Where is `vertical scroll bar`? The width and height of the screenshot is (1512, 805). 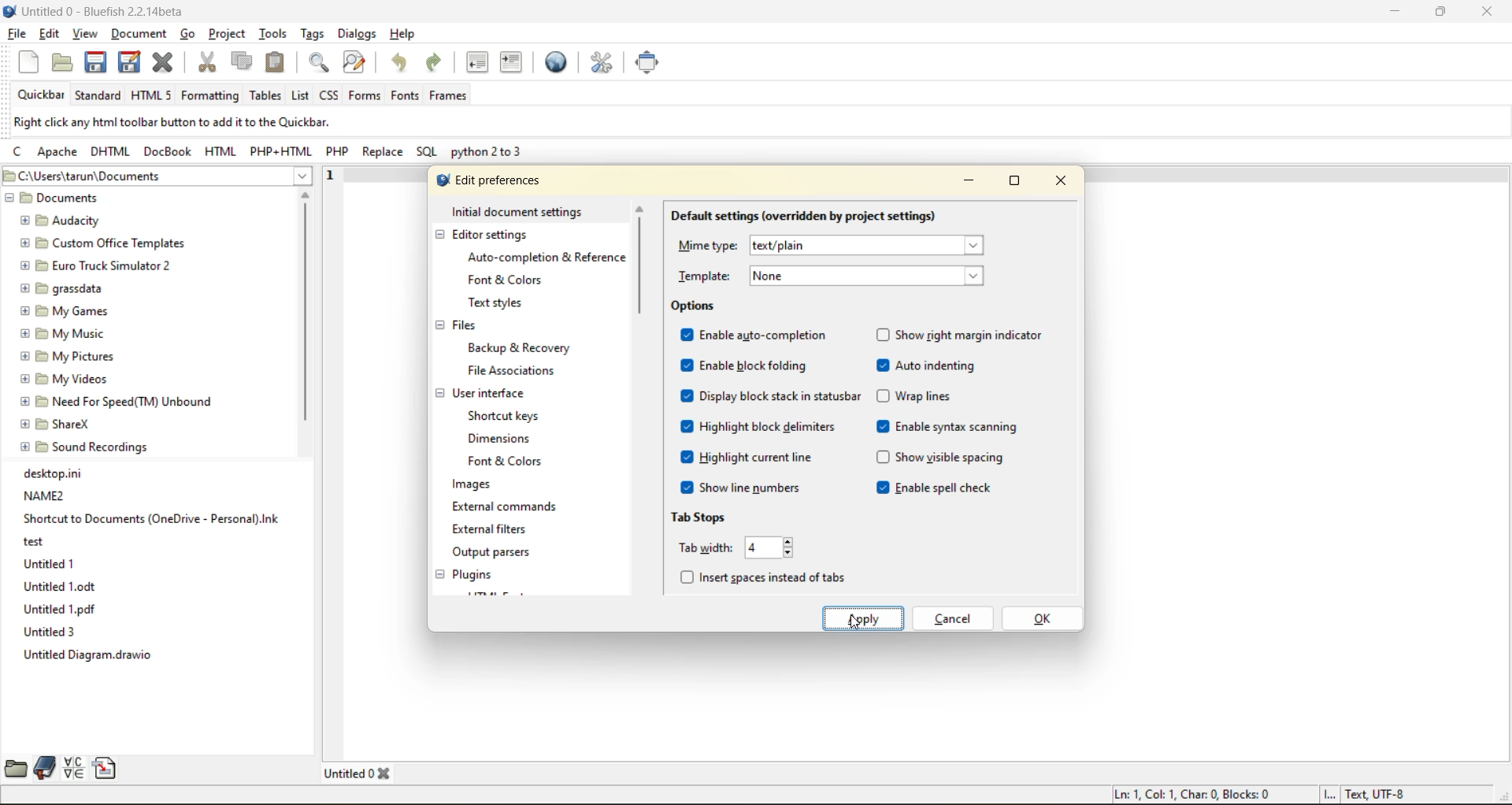
vertical scroll bar is located at coordinates (305, 314).